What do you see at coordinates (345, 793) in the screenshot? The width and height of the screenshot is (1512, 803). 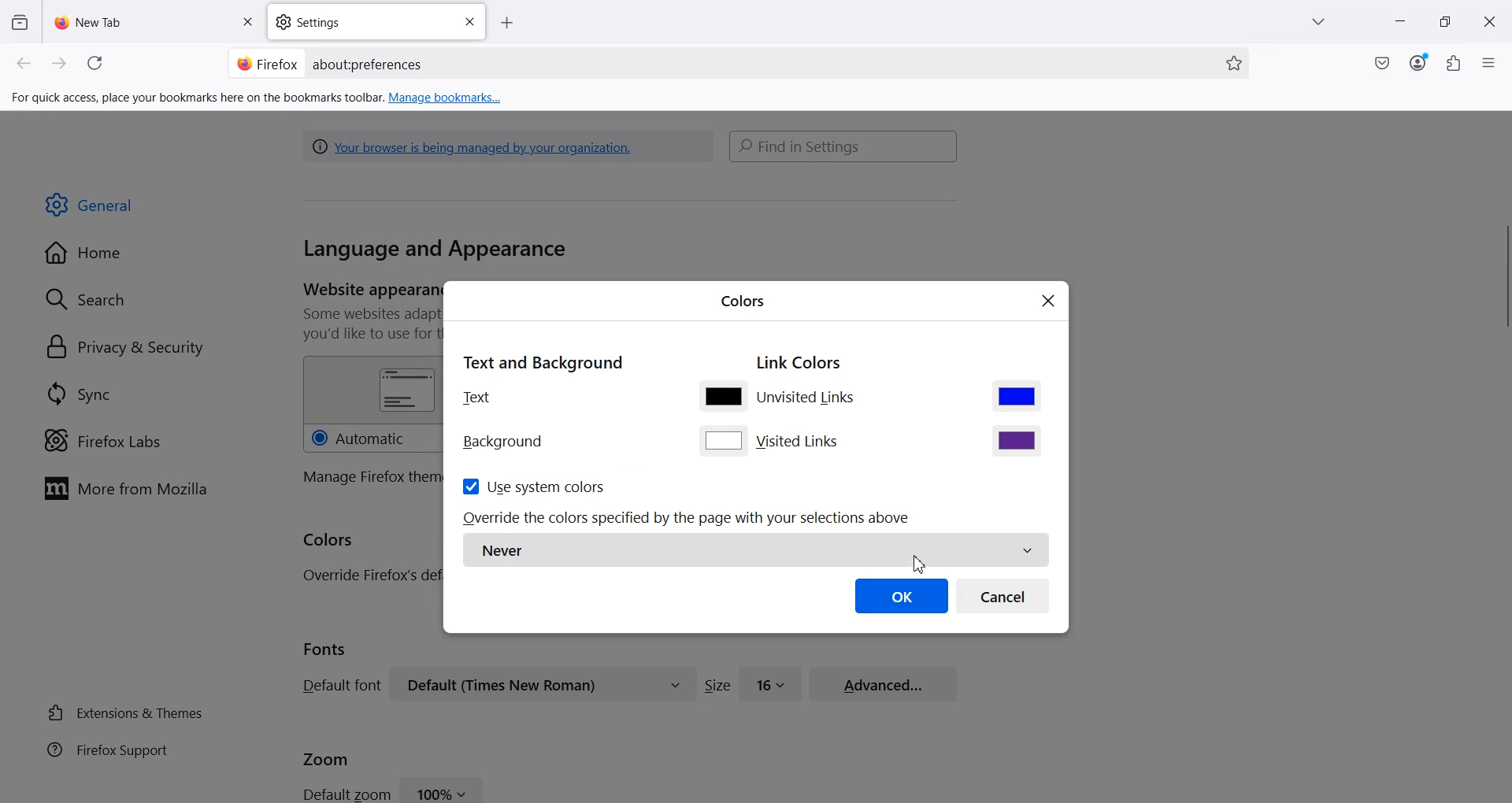 I see `Default zoom` at bounding box center [345, 793].